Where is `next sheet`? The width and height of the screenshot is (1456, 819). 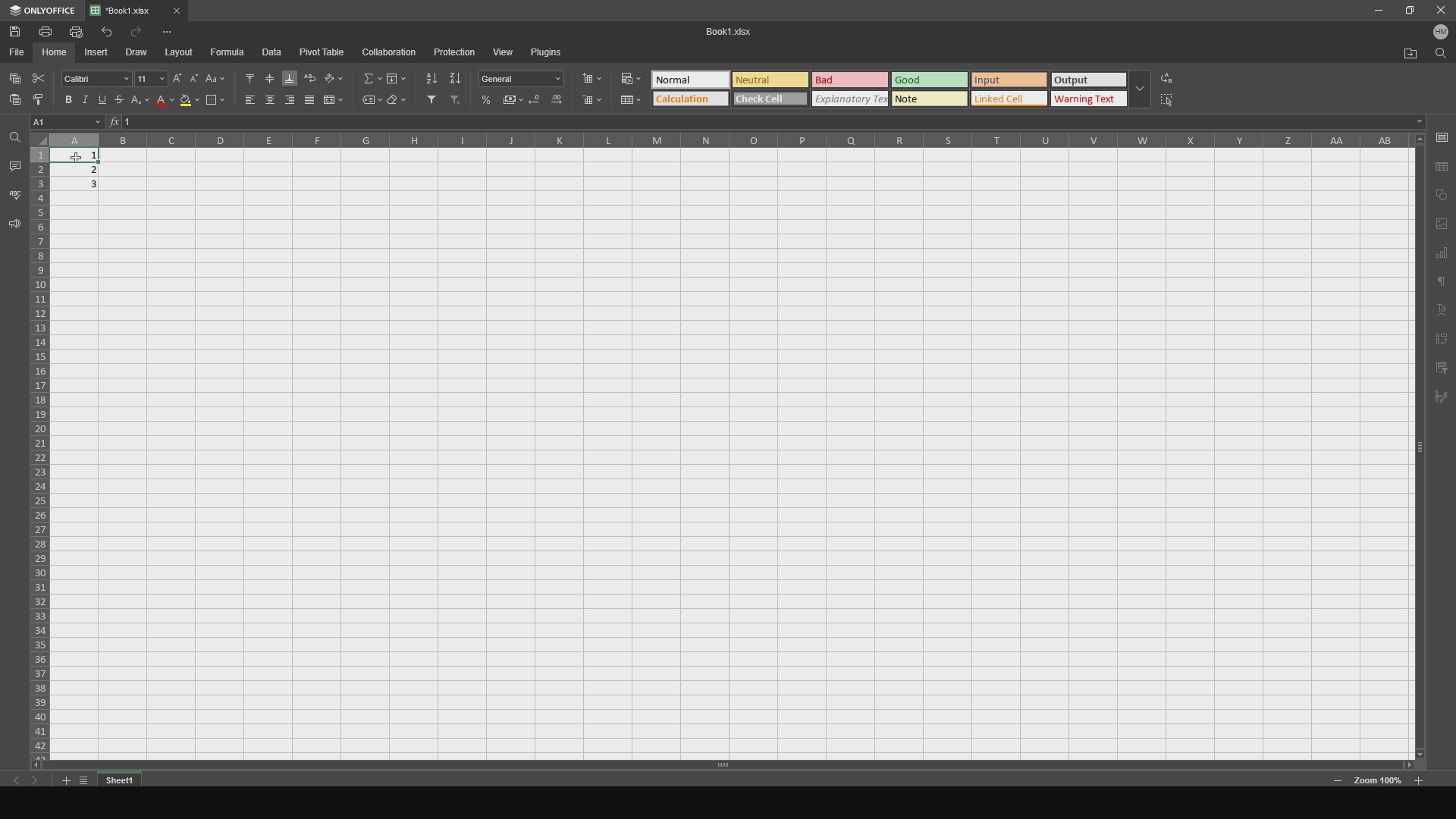
next sheet is located at coordinates (42, 783).